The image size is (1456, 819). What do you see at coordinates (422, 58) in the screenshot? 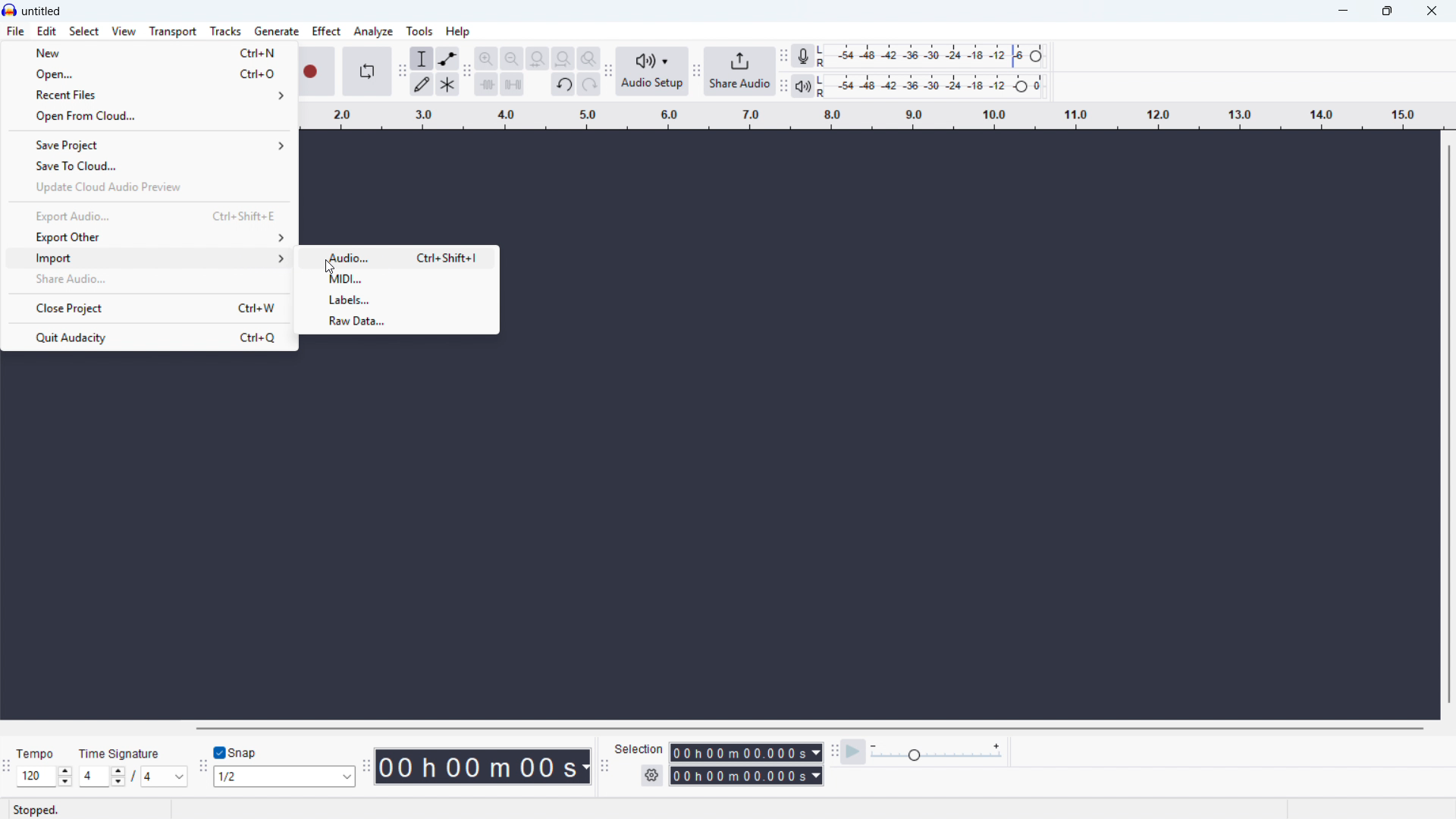
I see `Selection tool ` at bounding box center [422, 58].